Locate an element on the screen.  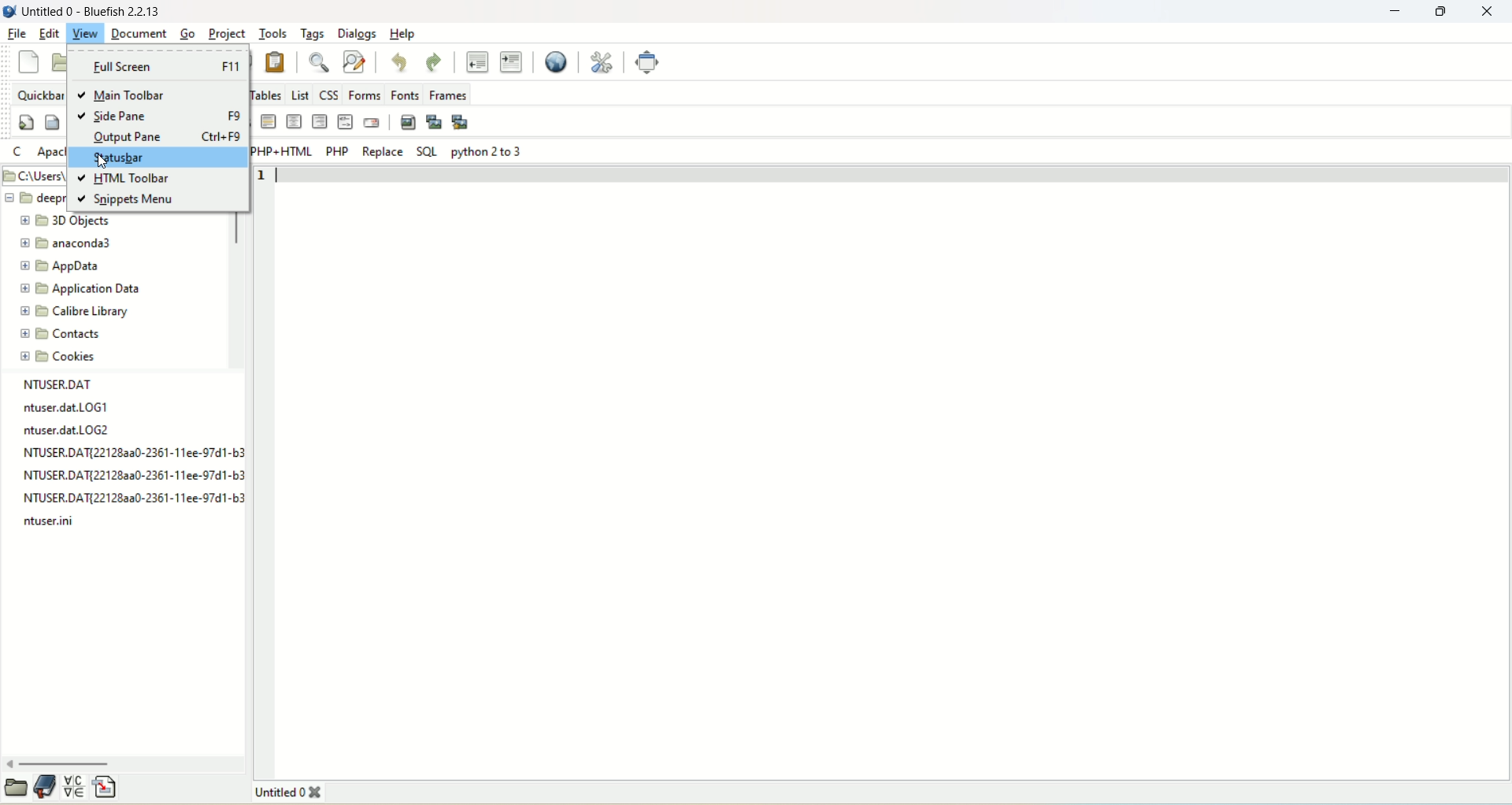
contacts is located at coordinates (61, 335).